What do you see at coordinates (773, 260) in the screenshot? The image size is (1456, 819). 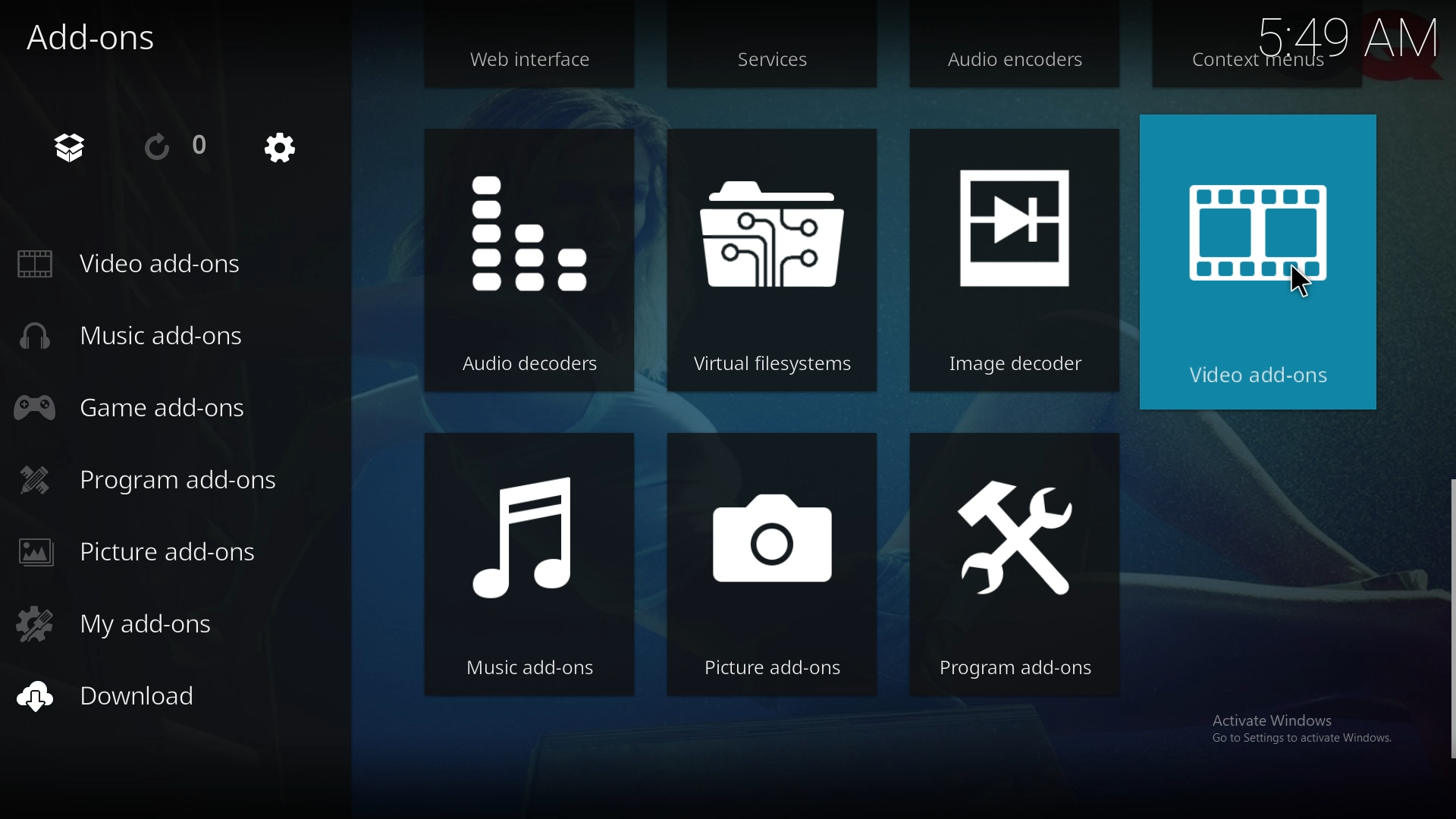 I see `virtual file system` at bounding box center [773, 260].